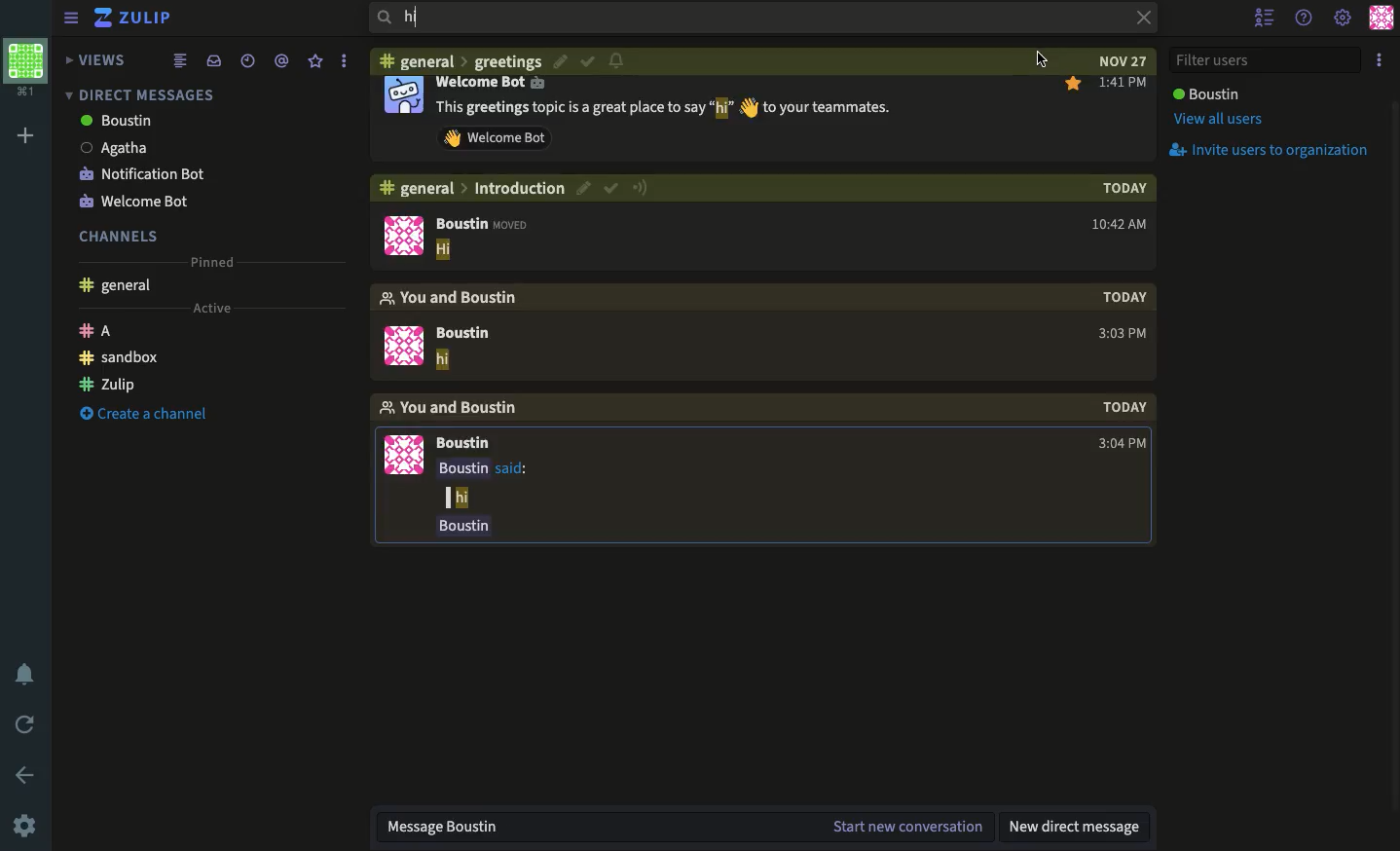 The height and width of the screenshot is (851, 1400). Describe the element at coordinates (1073, 85) in the screenshot. I see `mark favorite` at that location.